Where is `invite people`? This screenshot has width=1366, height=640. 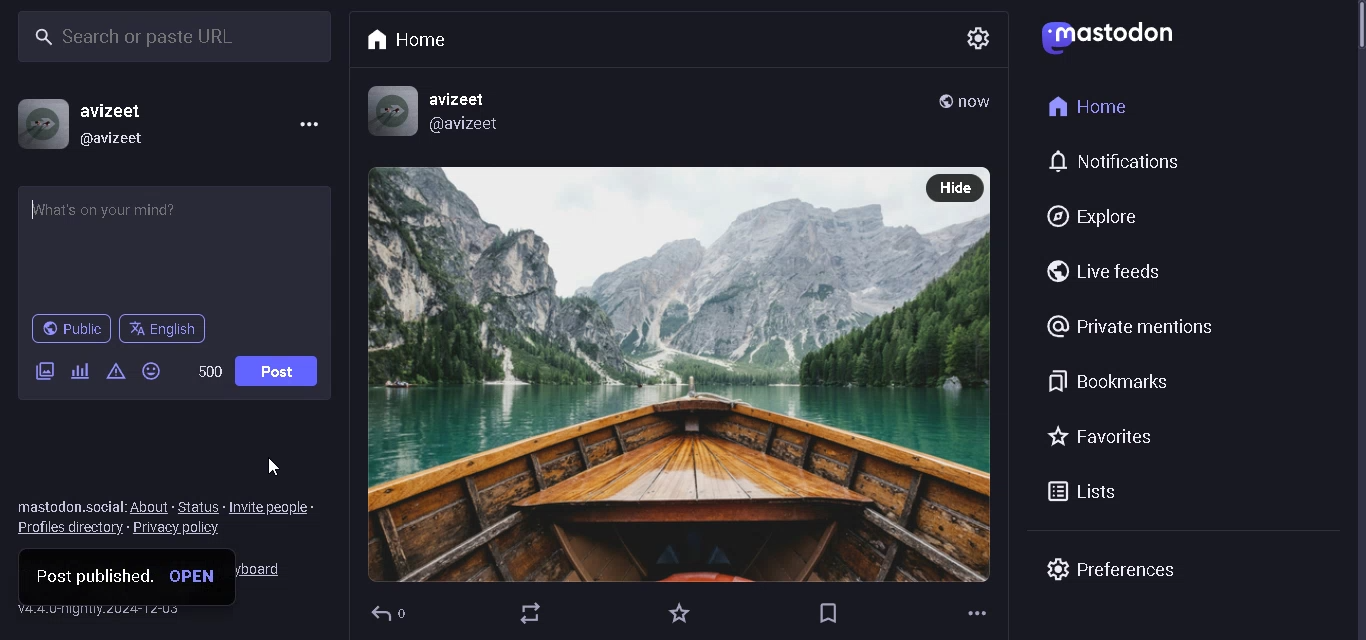 invite people is located at coordinates (277, 505).